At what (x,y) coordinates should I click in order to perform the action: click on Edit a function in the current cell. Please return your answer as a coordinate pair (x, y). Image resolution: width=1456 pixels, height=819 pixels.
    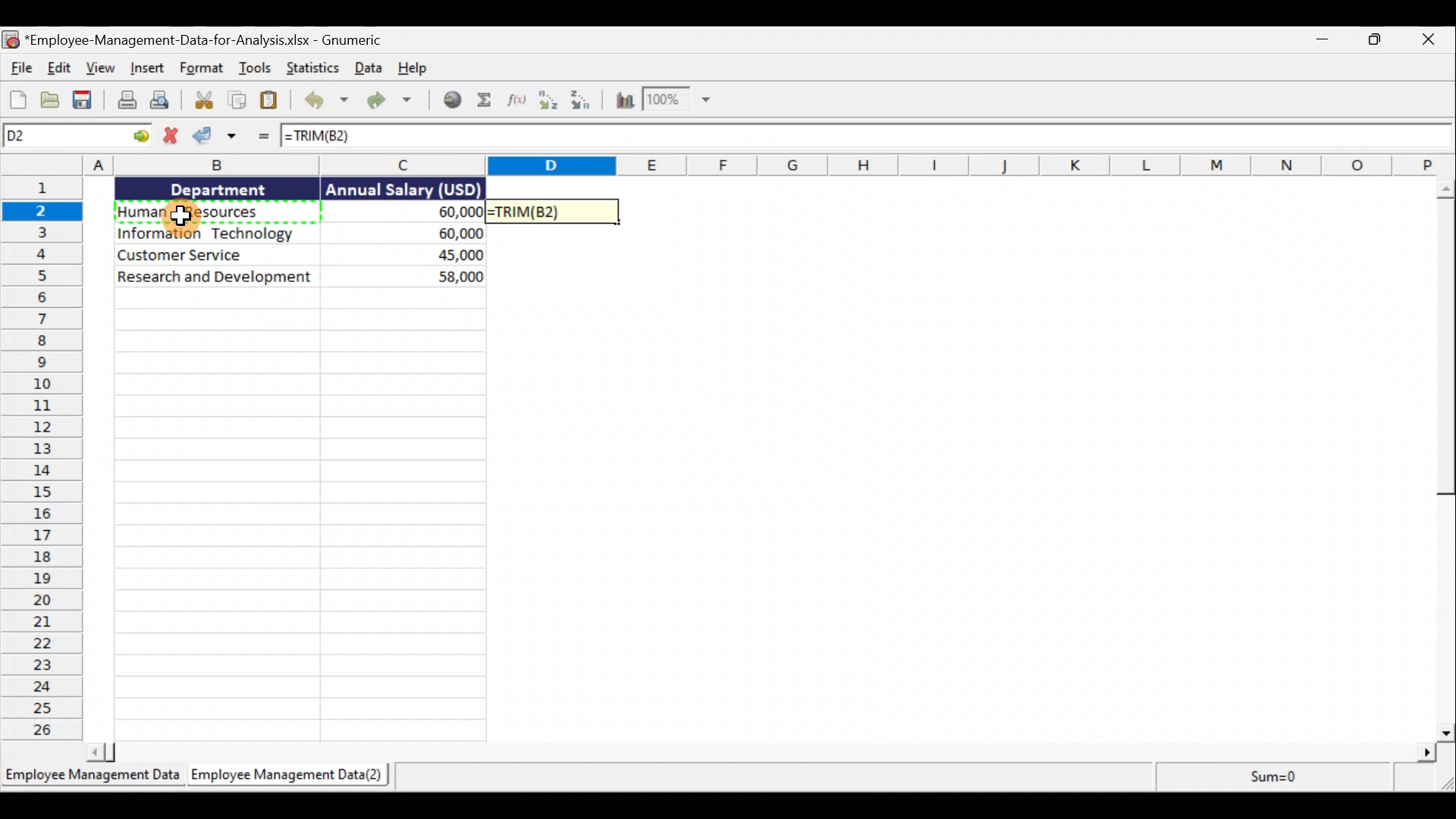
    Looking at the image, I should click on (516, 102).